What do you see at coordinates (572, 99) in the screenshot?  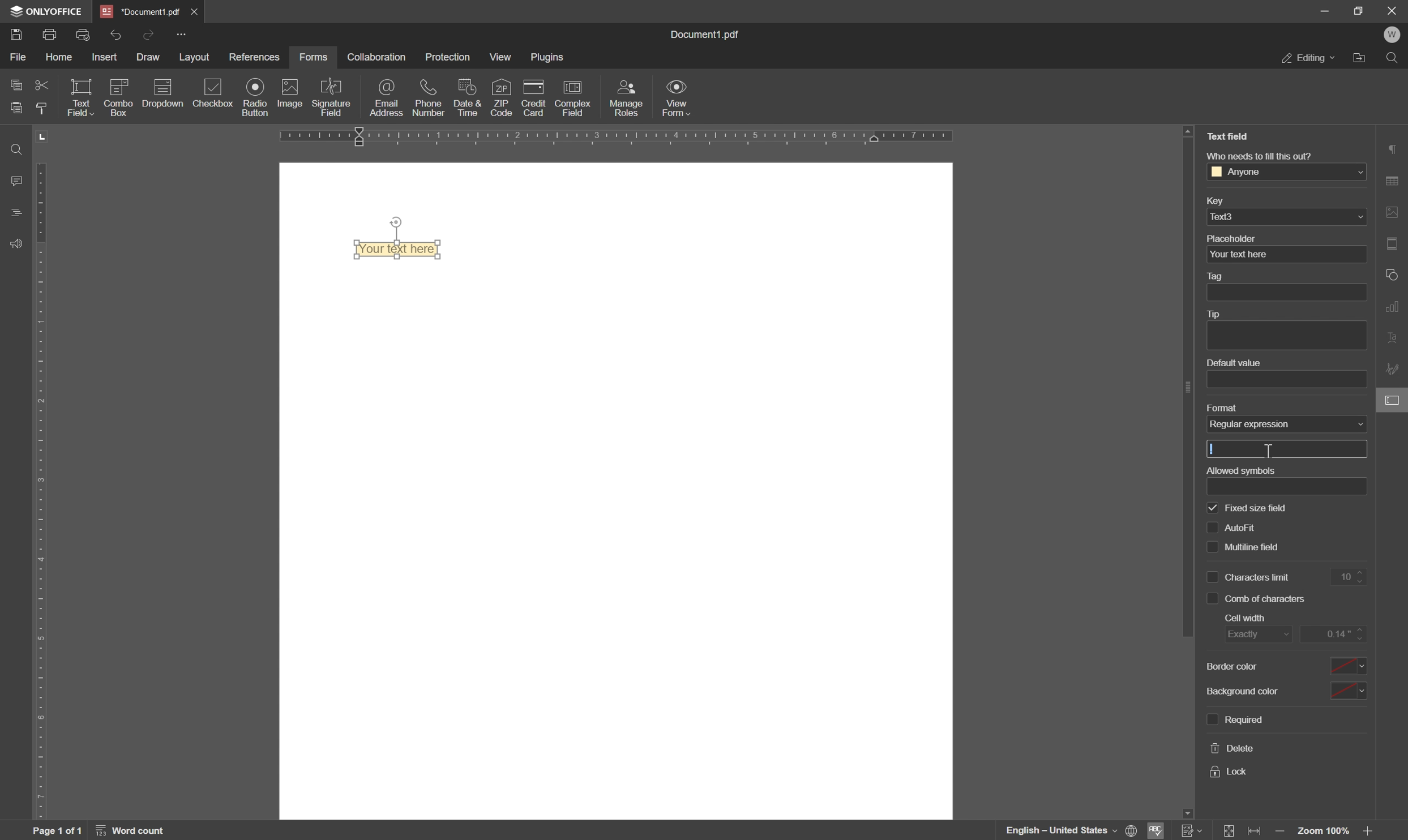 I see `complex field` at bounding box center [572, 99].